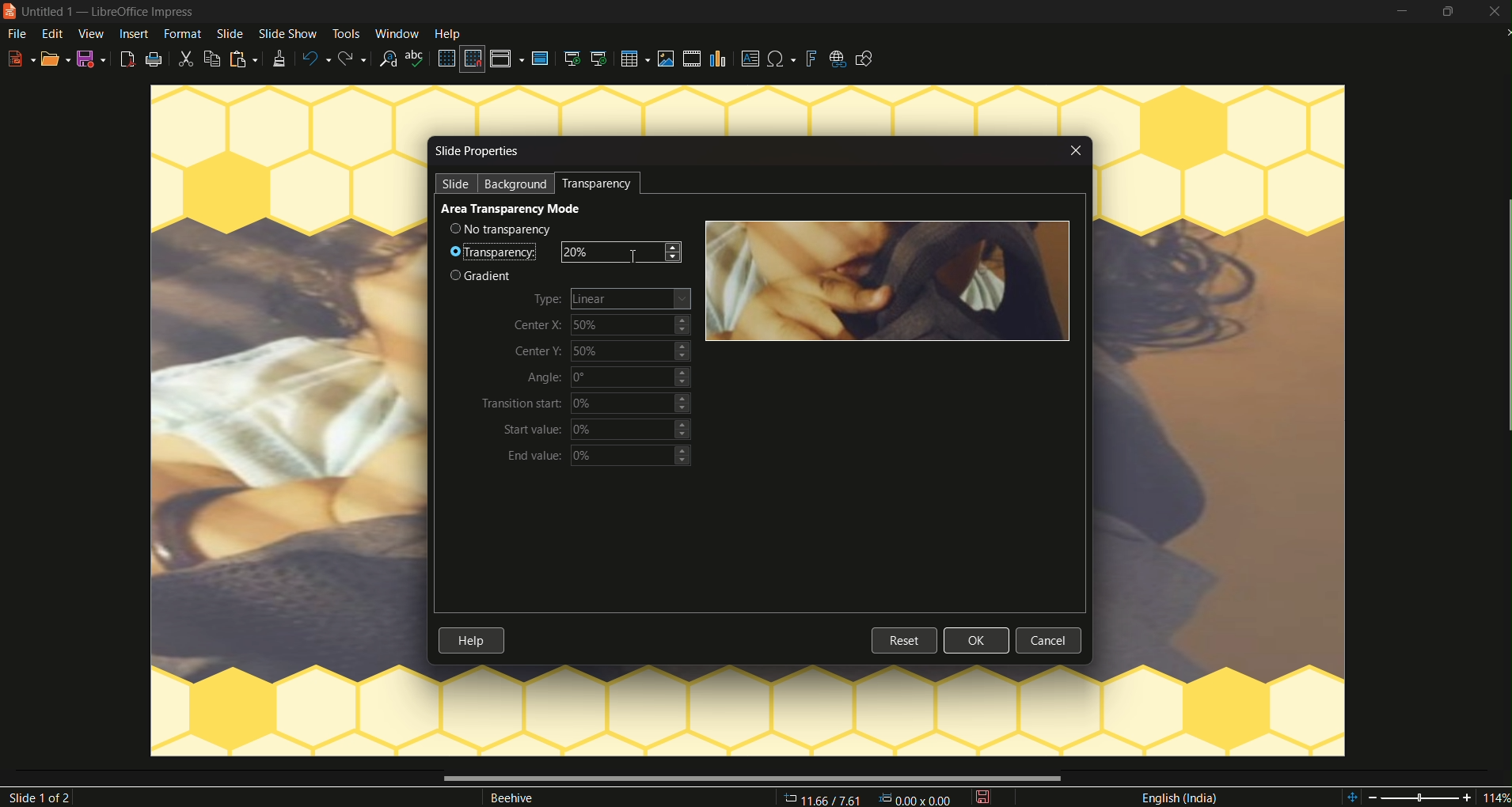 This screenshot has height=807, width=1512. What do you see at coordinates (812, 59) in the screenshot?
I see `insert fontwork text` at bounding box center [812, 59].